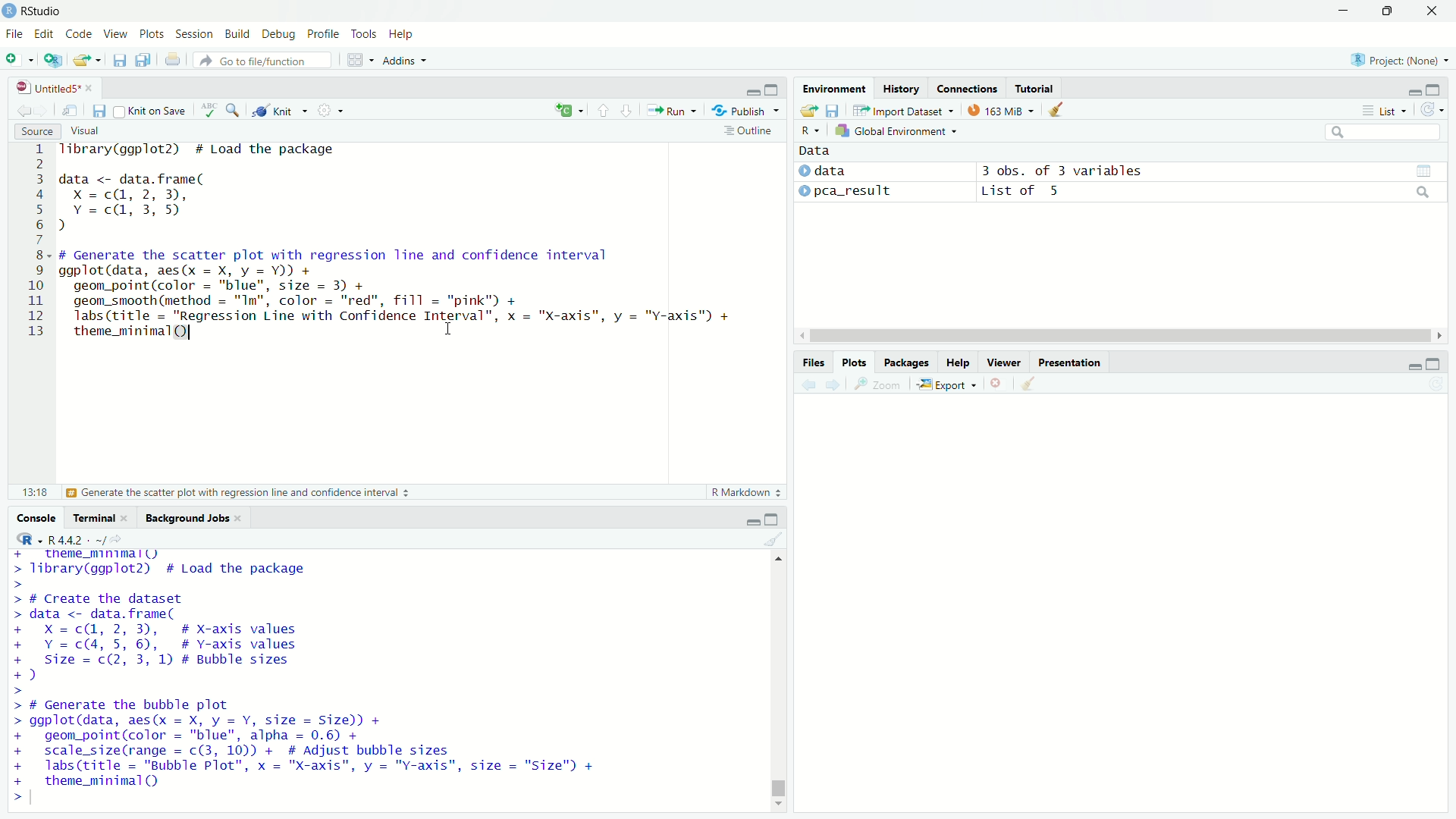  I want to click on insert a new code/chunk, so click(569, 109).